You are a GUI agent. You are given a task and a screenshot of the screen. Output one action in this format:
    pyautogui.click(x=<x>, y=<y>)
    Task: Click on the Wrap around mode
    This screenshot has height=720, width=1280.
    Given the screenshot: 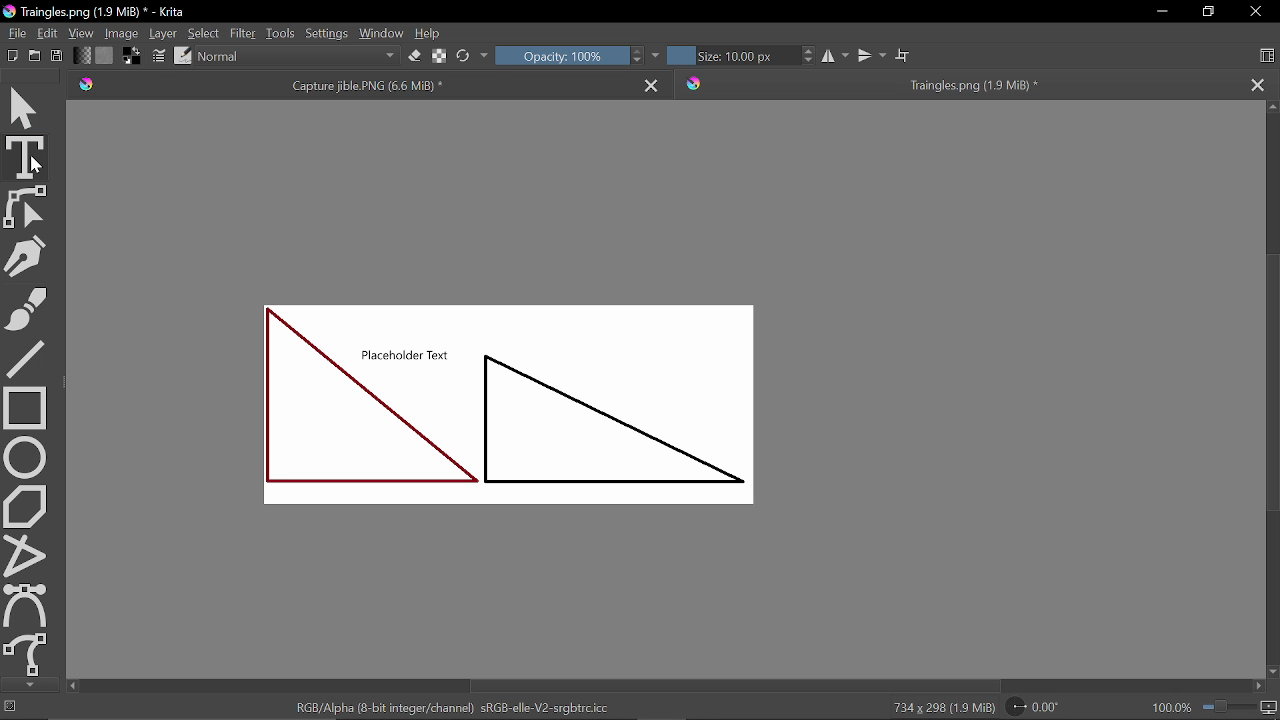 What is the action you would take?
    pyautogui.click(x=902, y=55)
    